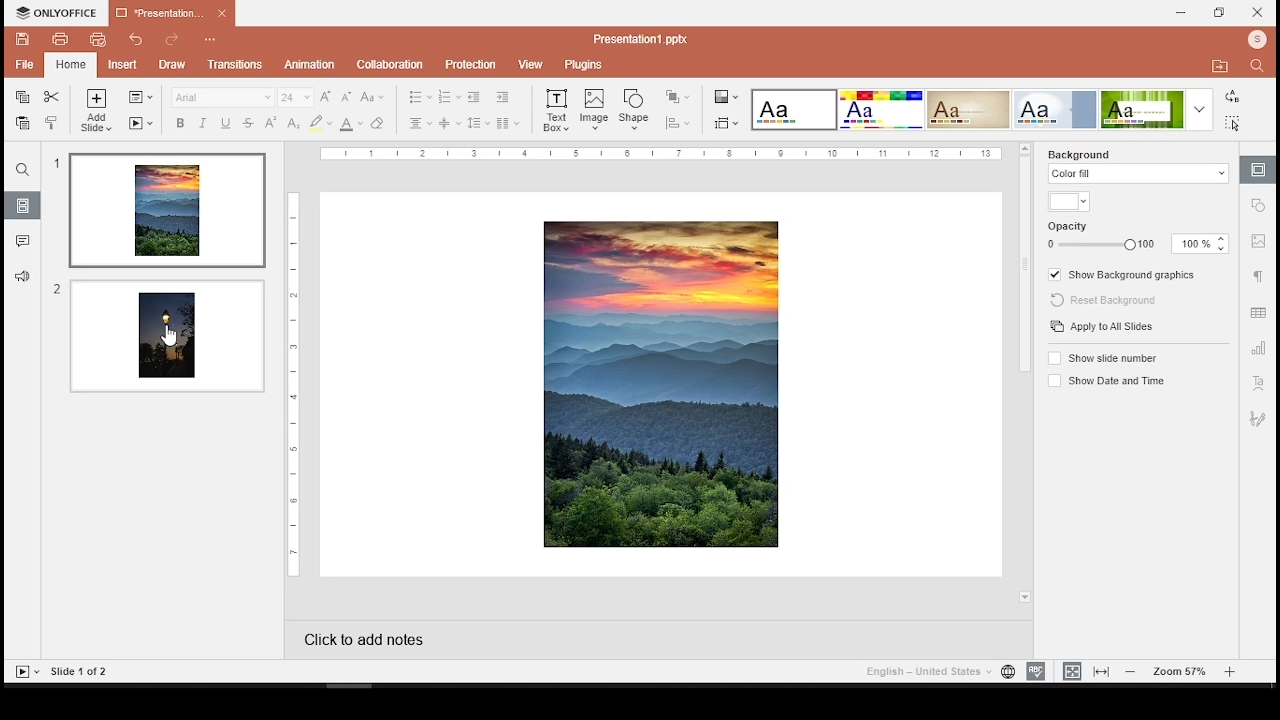  What do you see at coordinates (21, 238) in the screenshot?
I see `comments` at bounding box center [21, 238].